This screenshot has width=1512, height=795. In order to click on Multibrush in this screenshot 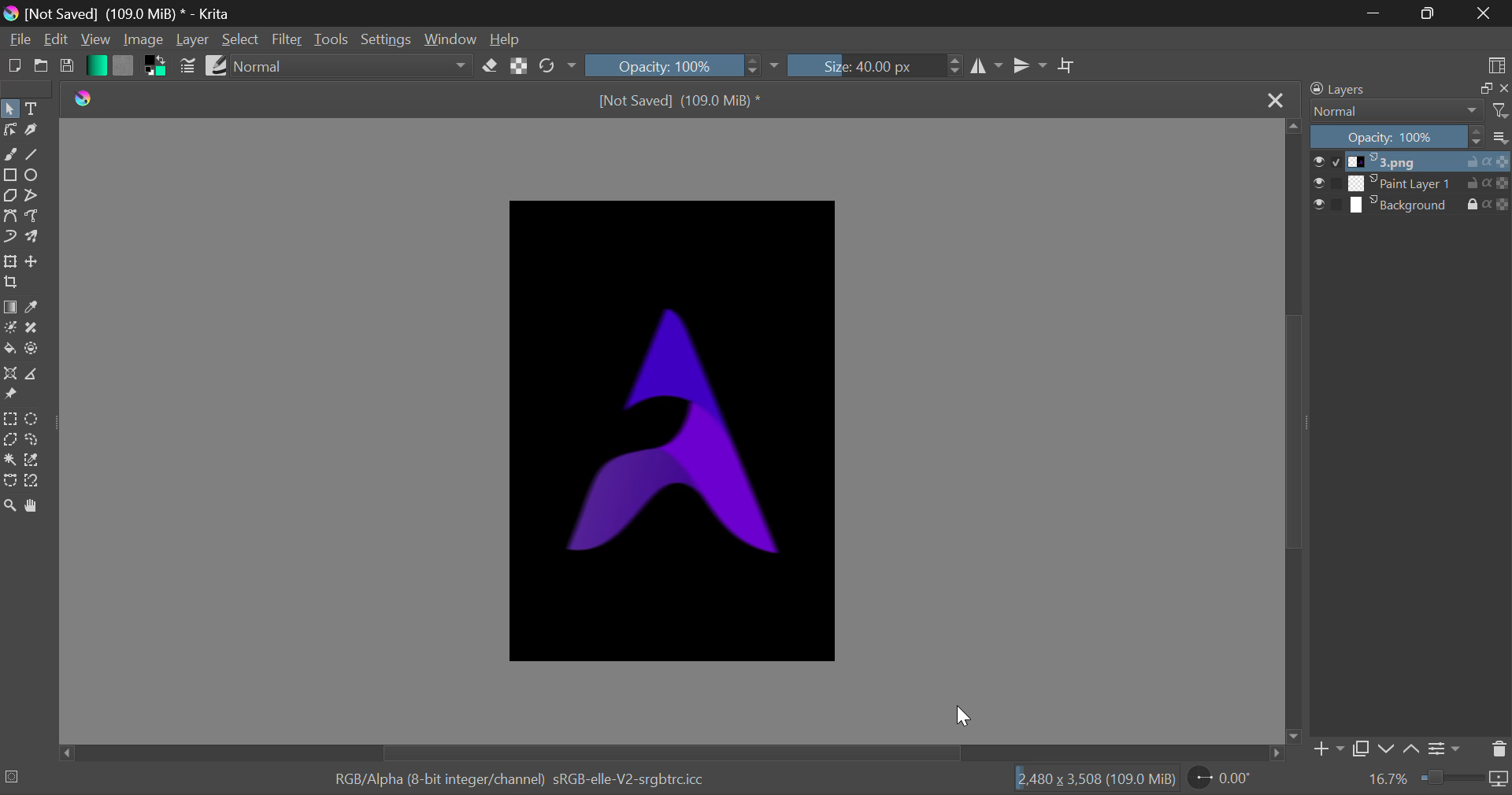, I will do `click(35, 238)`.